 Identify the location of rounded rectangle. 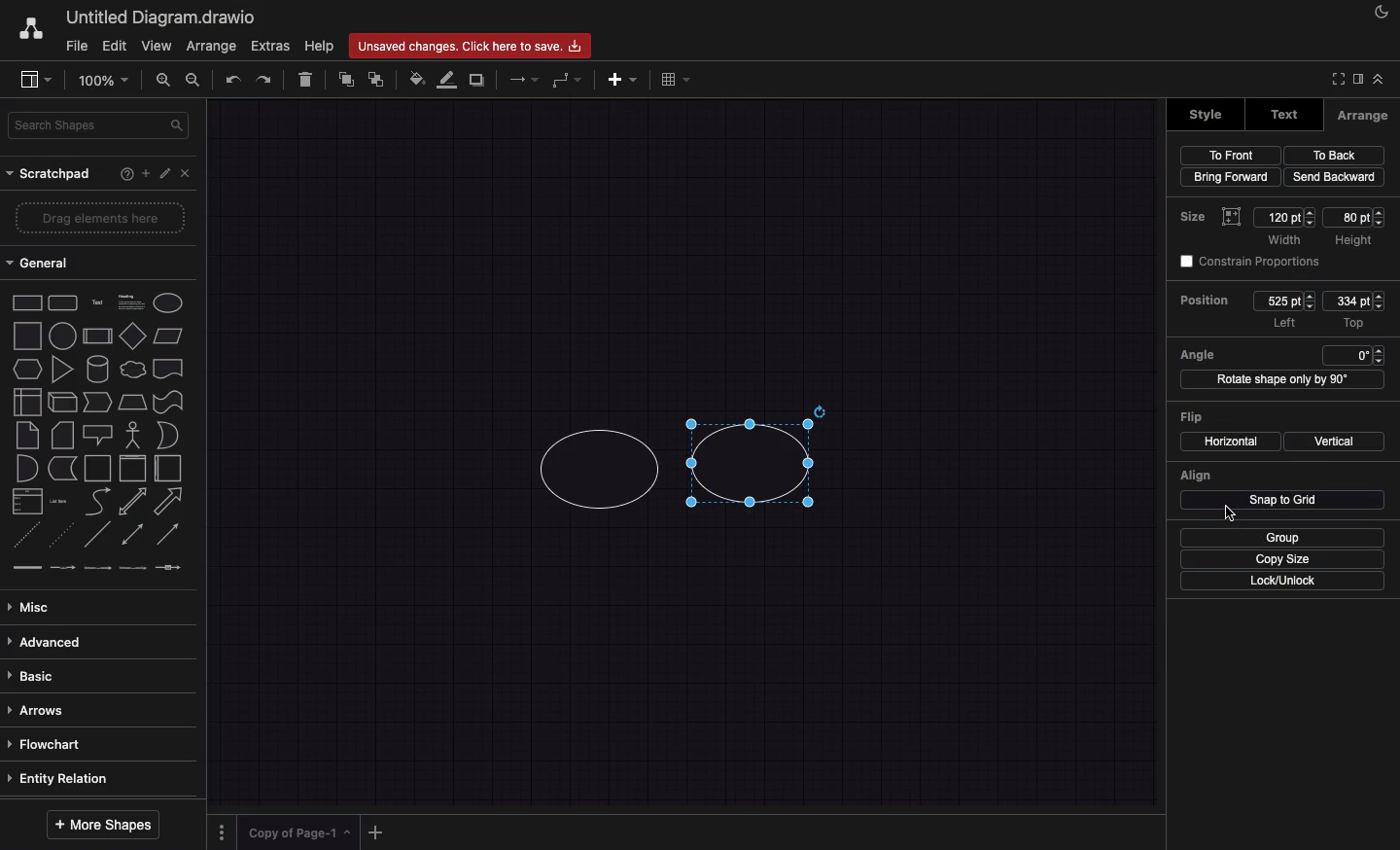
(62, 303).